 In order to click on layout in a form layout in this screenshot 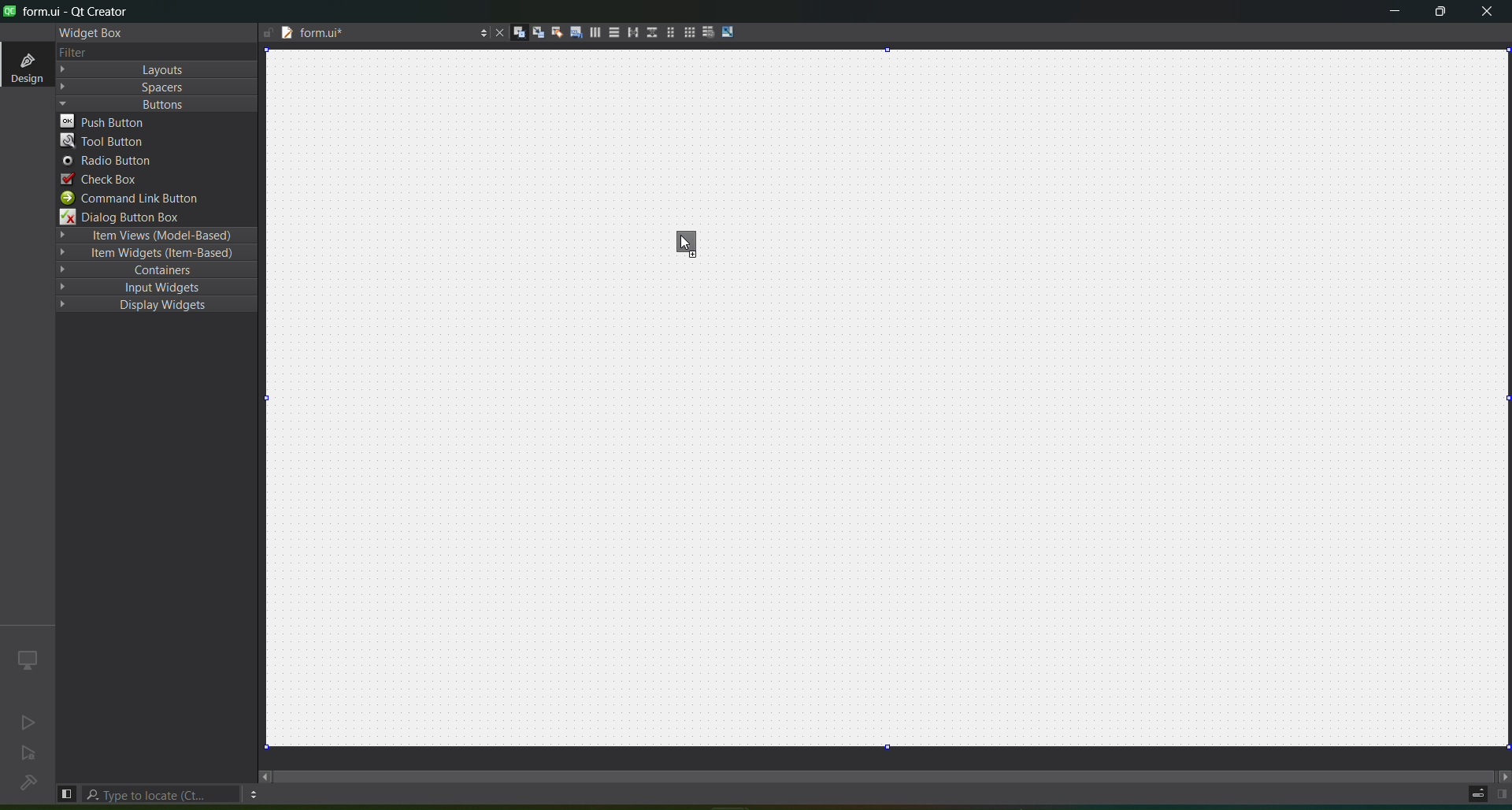, I will do `click(669, 31)`.